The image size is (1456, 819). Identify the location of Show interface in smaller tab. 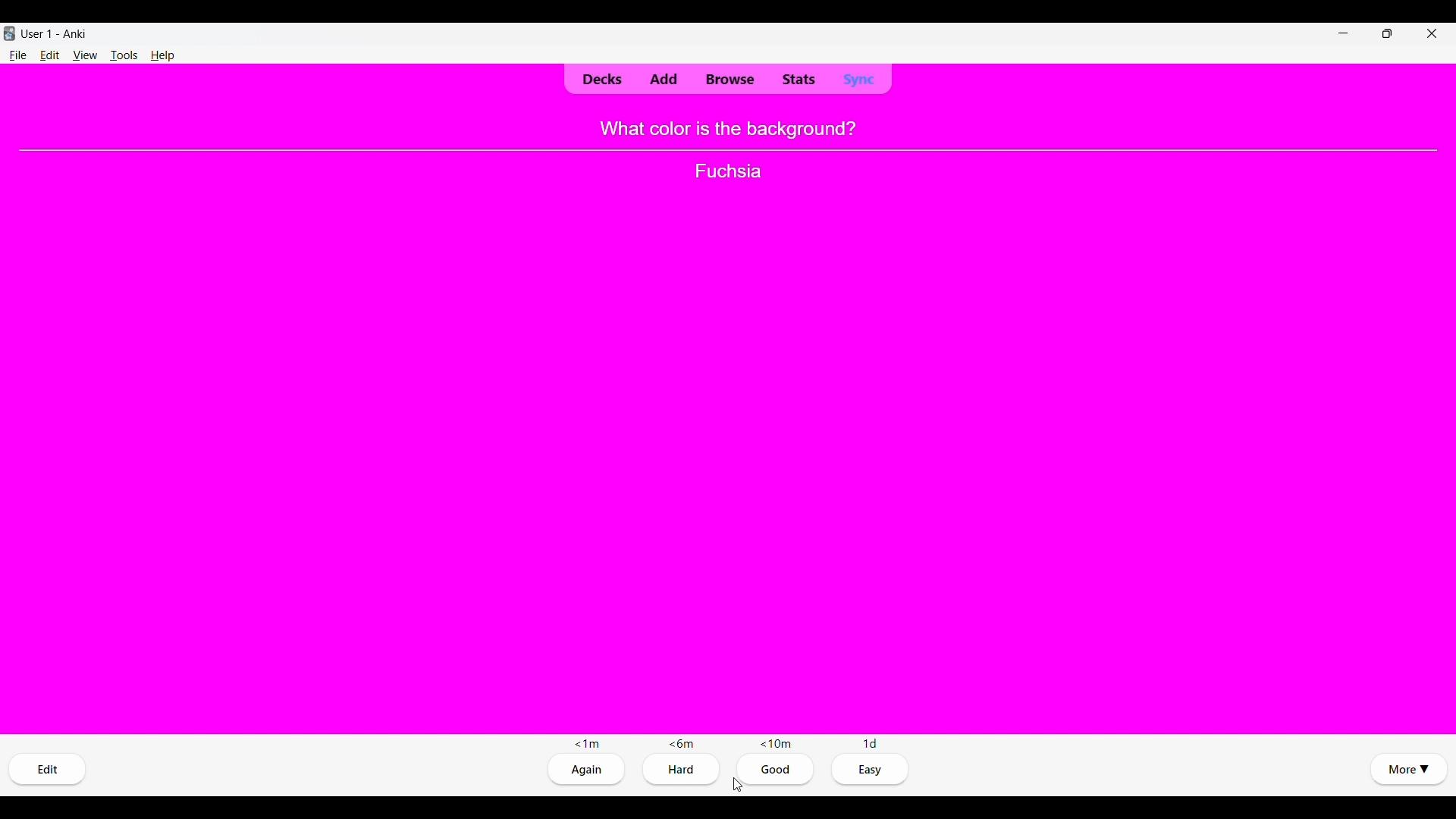
(1388, 33).